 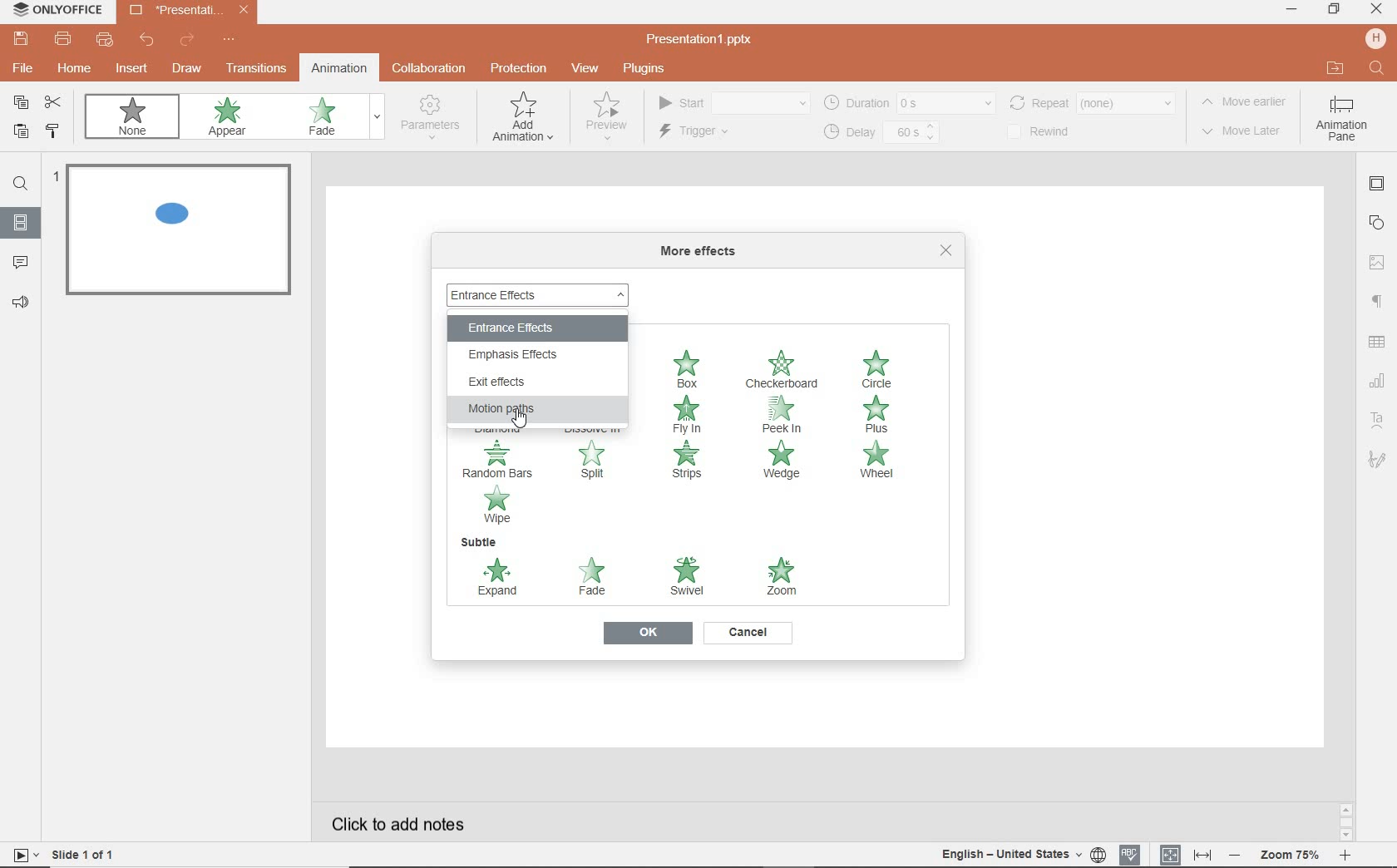 I want to click on Animation pane, so click(x=1341, y=121).